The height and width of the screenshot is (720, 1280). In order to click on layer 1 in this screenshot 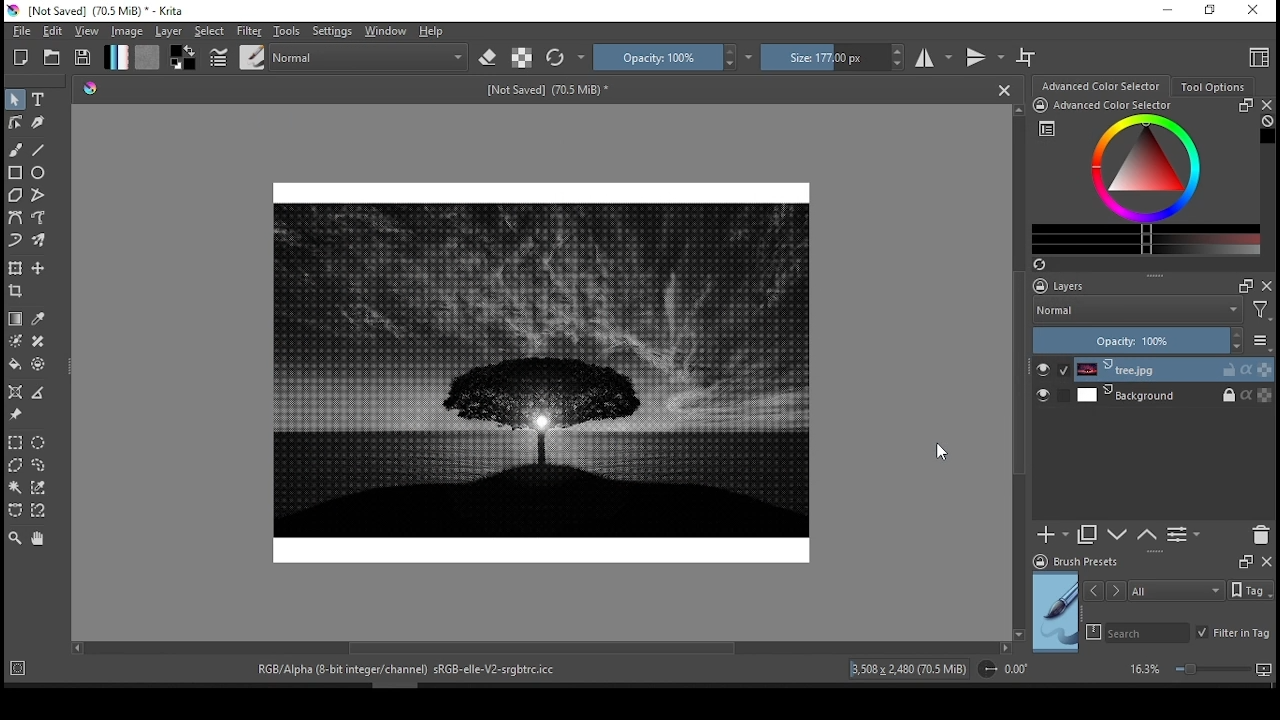, I will do `click(1172, 369)`.